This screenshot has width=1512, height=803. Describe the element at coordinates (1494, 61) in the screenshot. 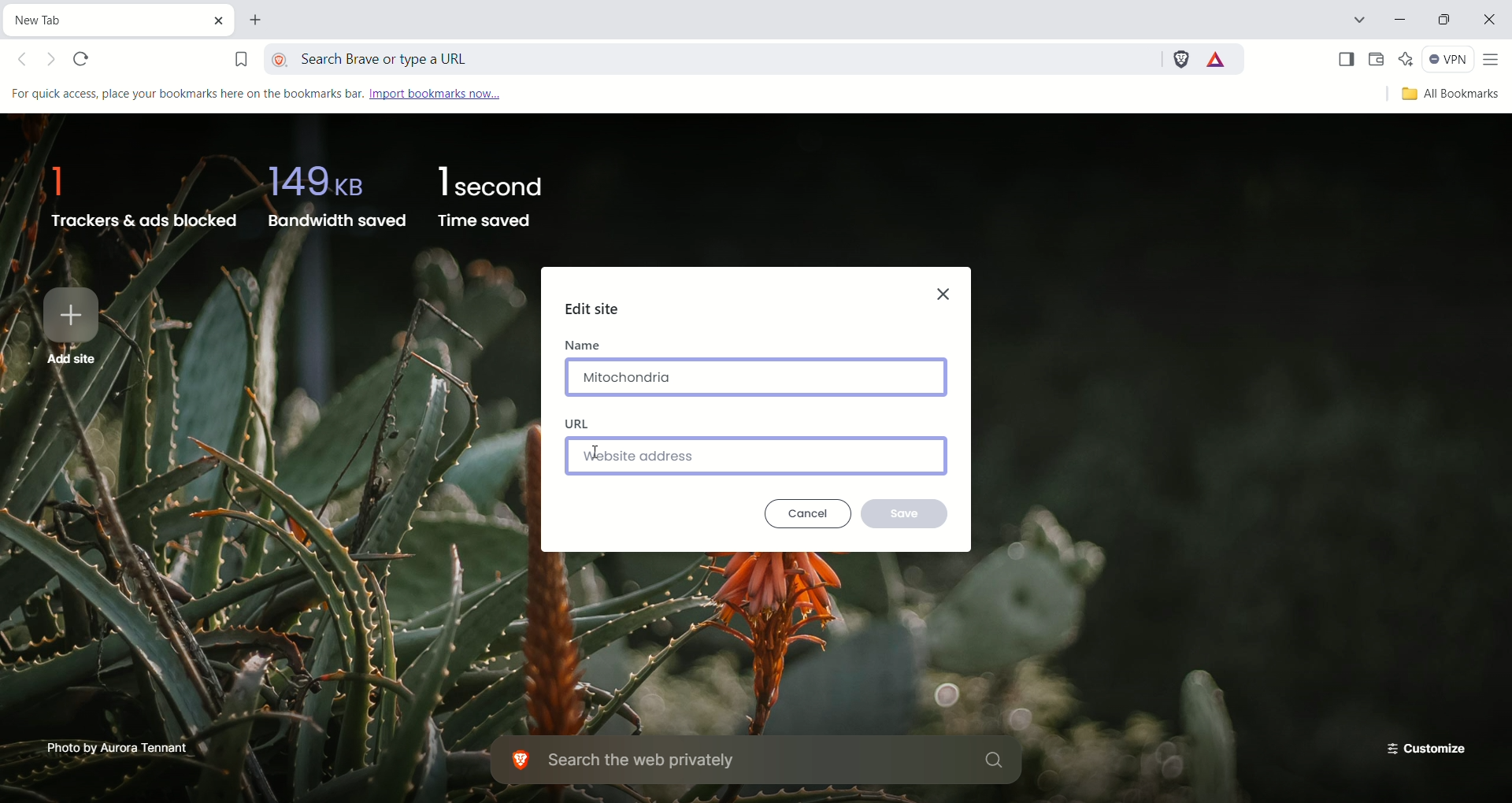

I see `customize and control brave` at that location.